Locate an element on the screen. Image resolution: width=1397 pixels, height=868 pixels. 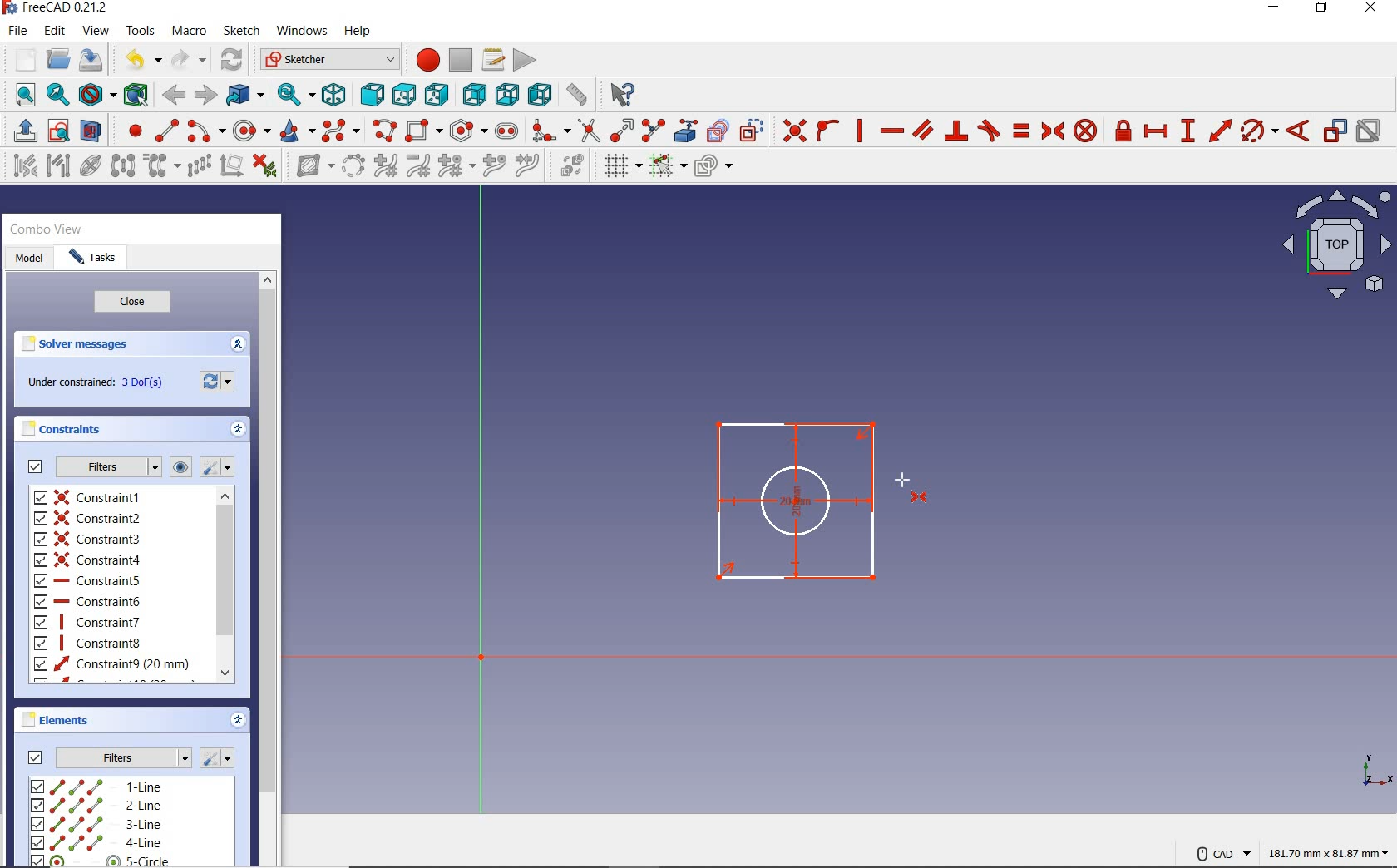
solver messages is located at coordinates (74, 345).